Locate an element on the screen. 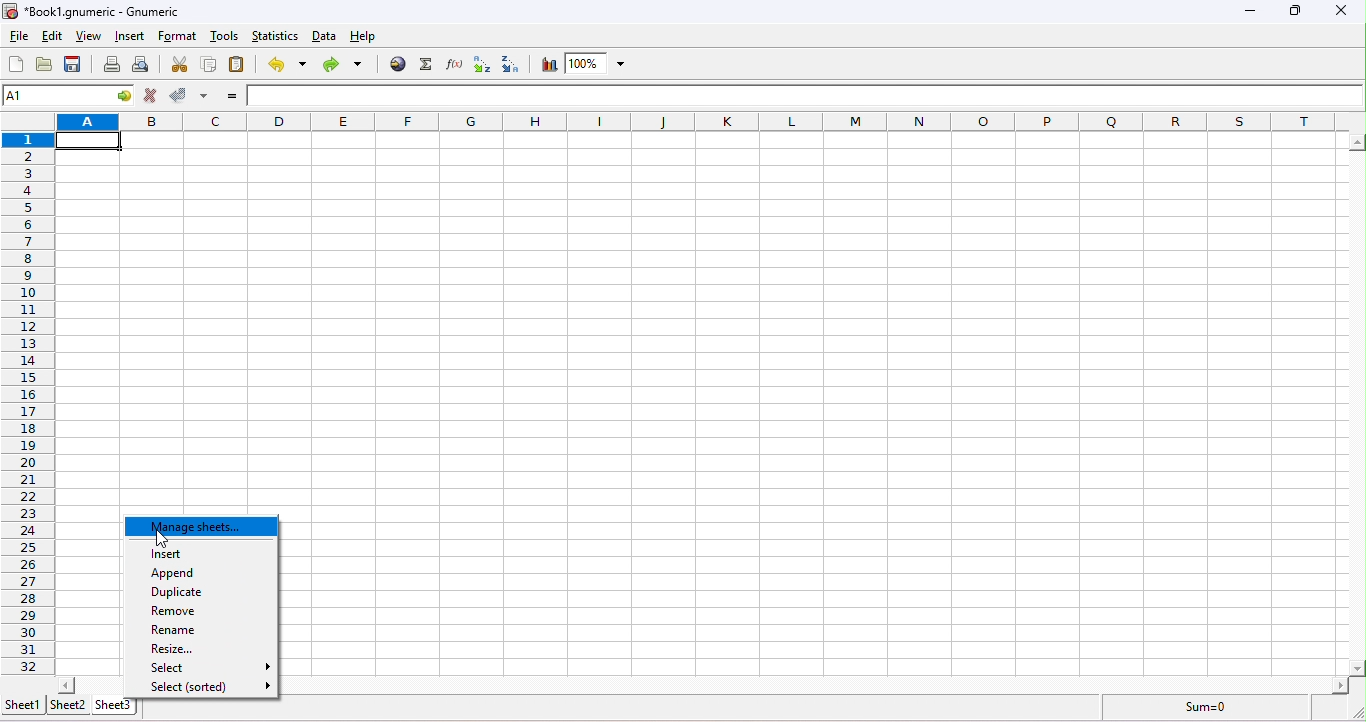 This screenshot has width=1366, height=722. insert is located at coordinates (170, 555).